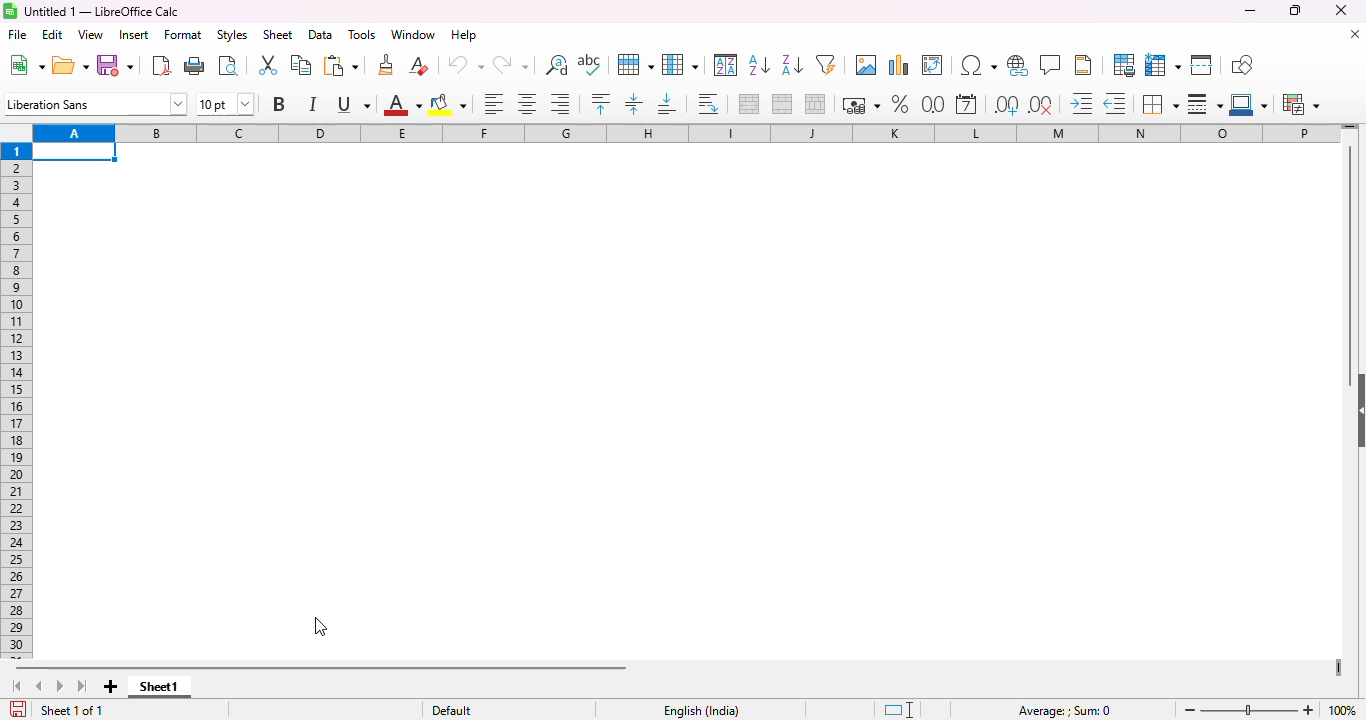  I want to click on default, so click(451, 710).